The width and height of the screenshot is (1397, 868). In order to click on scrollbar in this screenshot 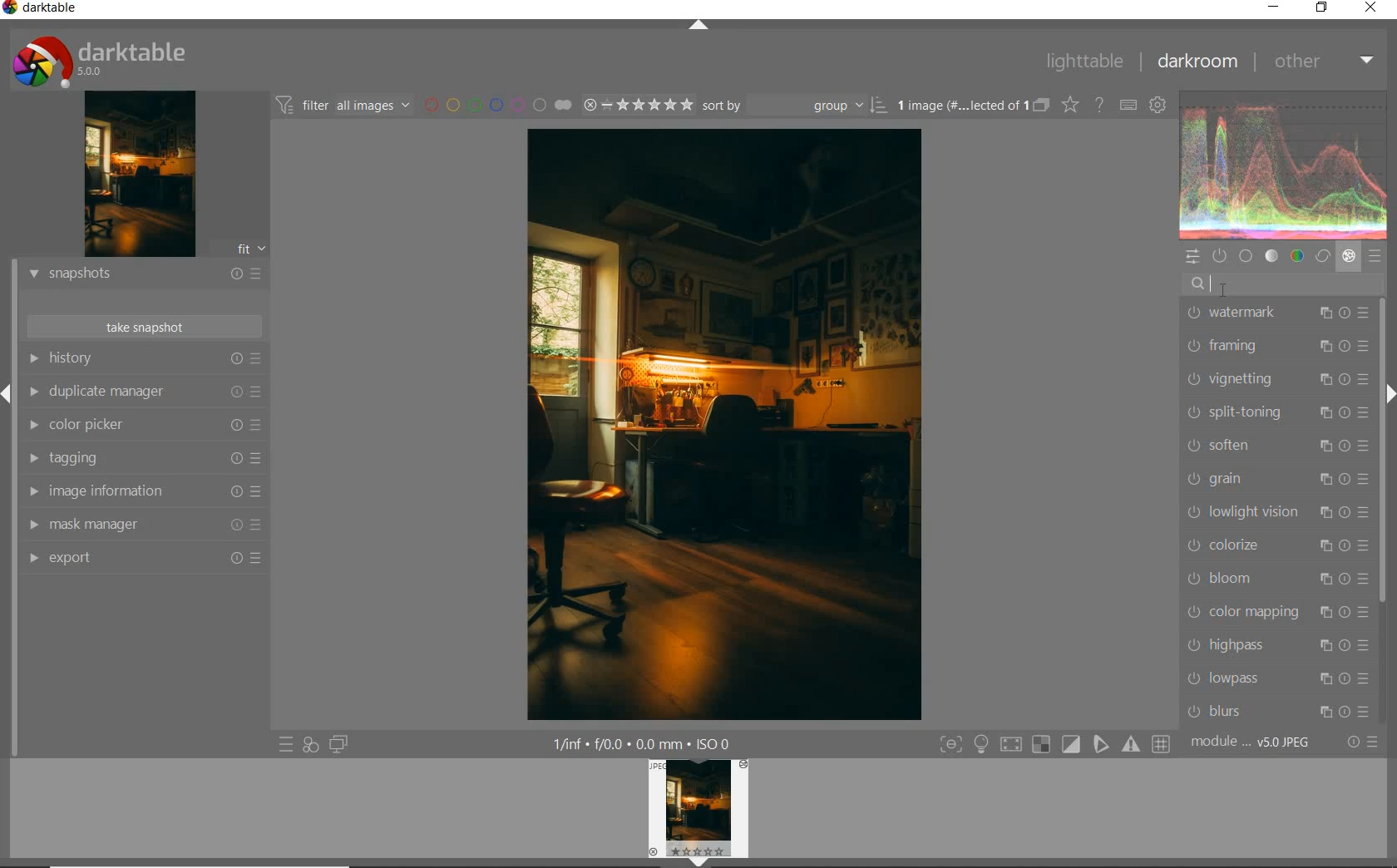, I will do `click(1383, 450)`.